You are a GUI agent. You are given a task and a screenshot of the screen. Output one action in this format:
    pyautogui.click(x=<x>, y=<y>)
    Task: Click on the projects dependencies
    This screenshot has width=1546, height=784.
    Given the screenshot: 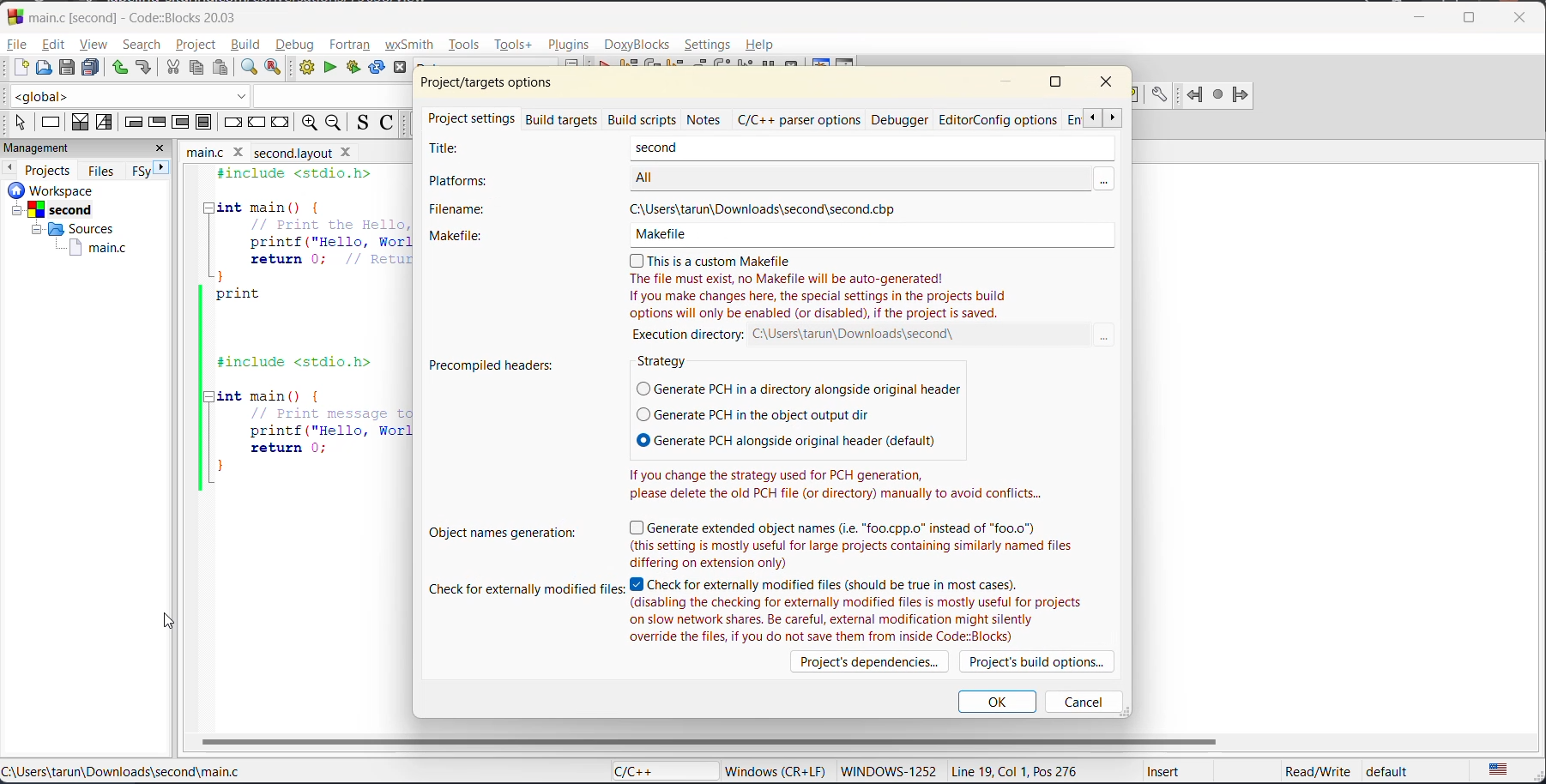 What is the action you would take?
    pyautogui.click(x=859, y=664)
    